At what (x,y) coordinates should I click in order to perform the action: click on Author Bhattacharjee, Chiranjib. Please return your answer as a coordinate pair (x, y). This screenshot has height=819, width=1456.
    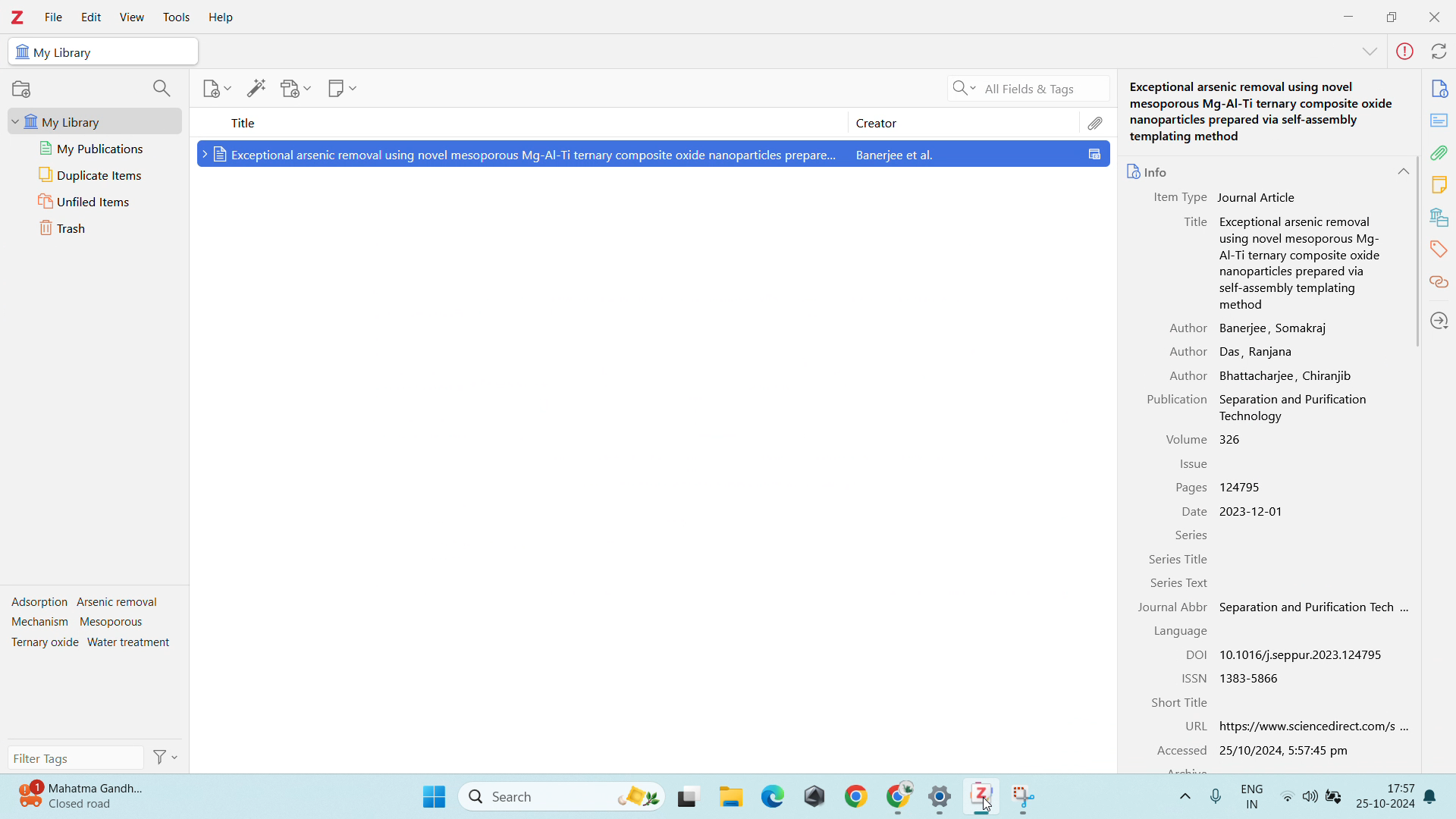
    Looking at the image, I should click on (1266, 375).